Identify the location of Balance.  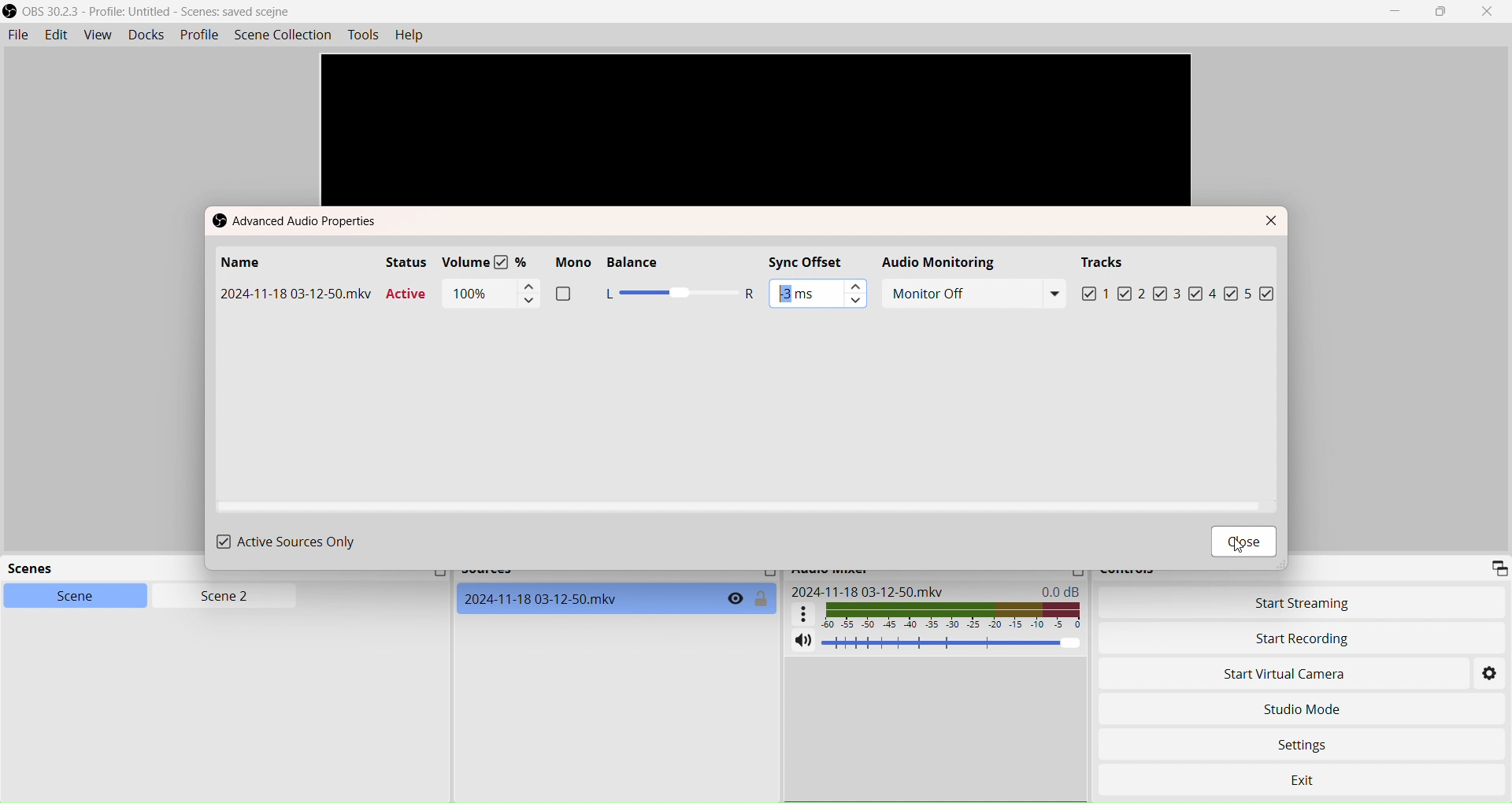
(648, 264).